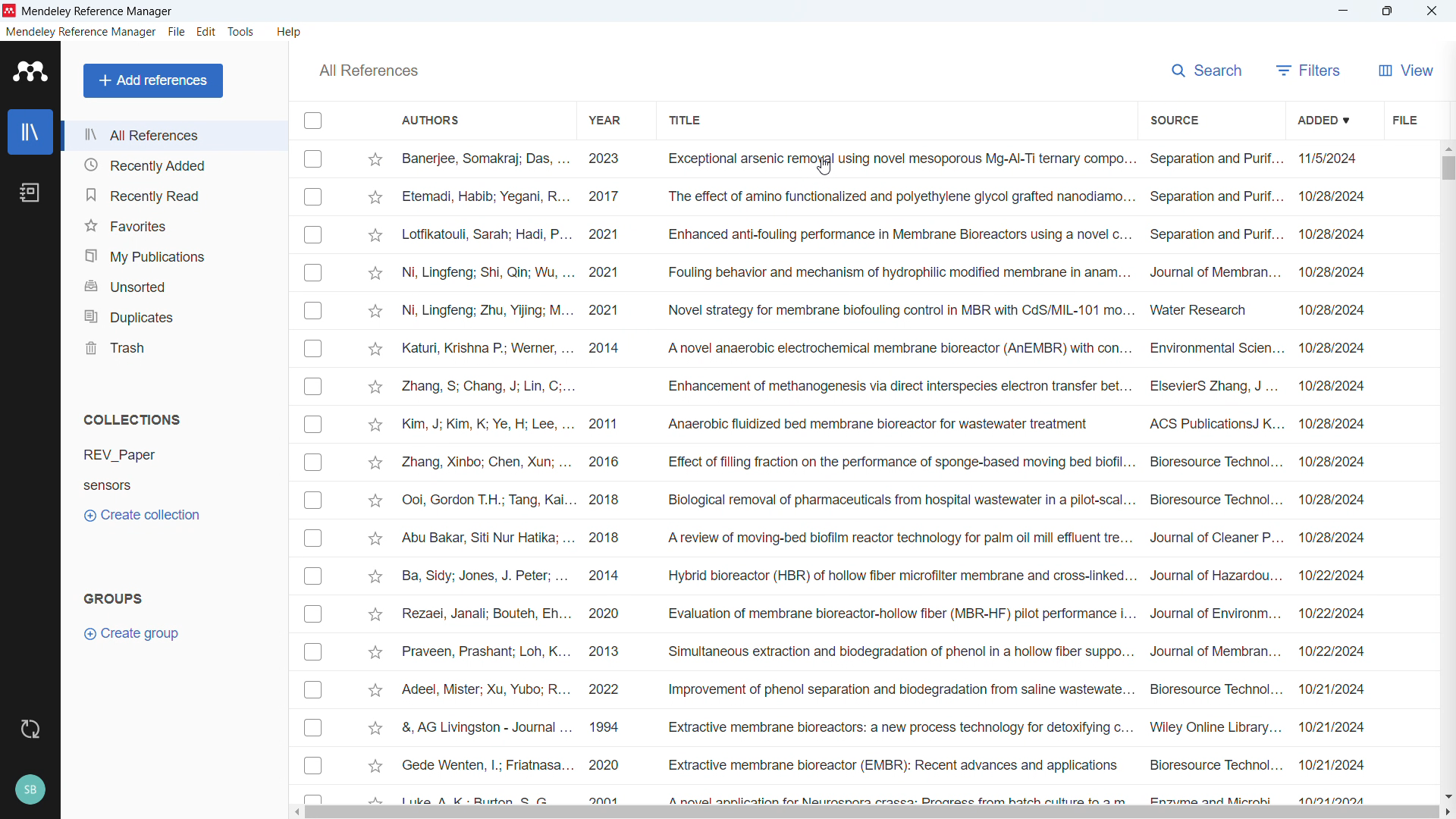 The image size is (1456, 819). I want to click on Mendeley reference manager , so click(81, 33).